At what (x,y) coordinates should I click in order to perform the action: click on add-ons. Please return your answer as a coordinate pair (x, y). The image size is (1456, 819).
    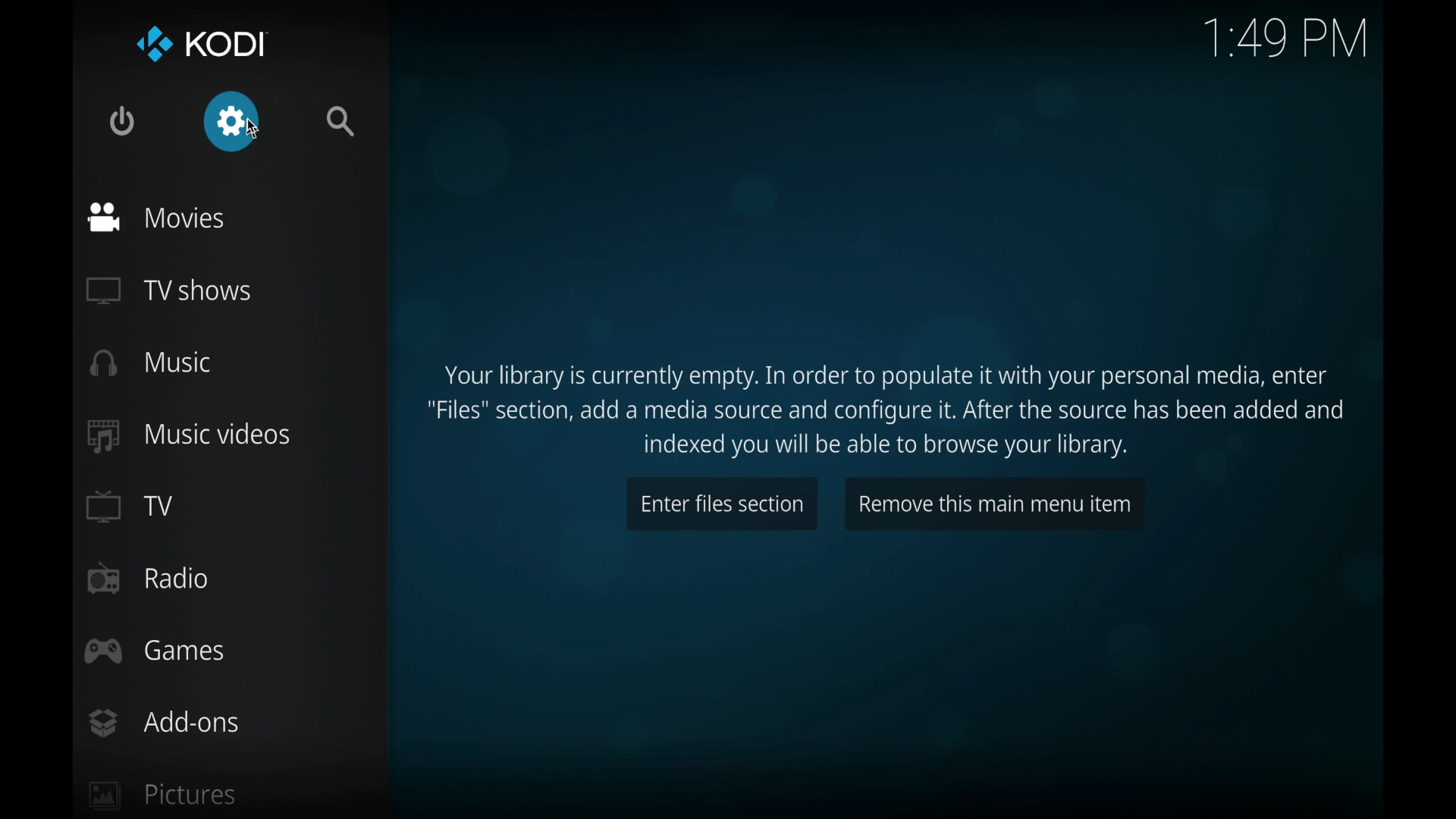
    Looking at the image, I should click on (163, 723).